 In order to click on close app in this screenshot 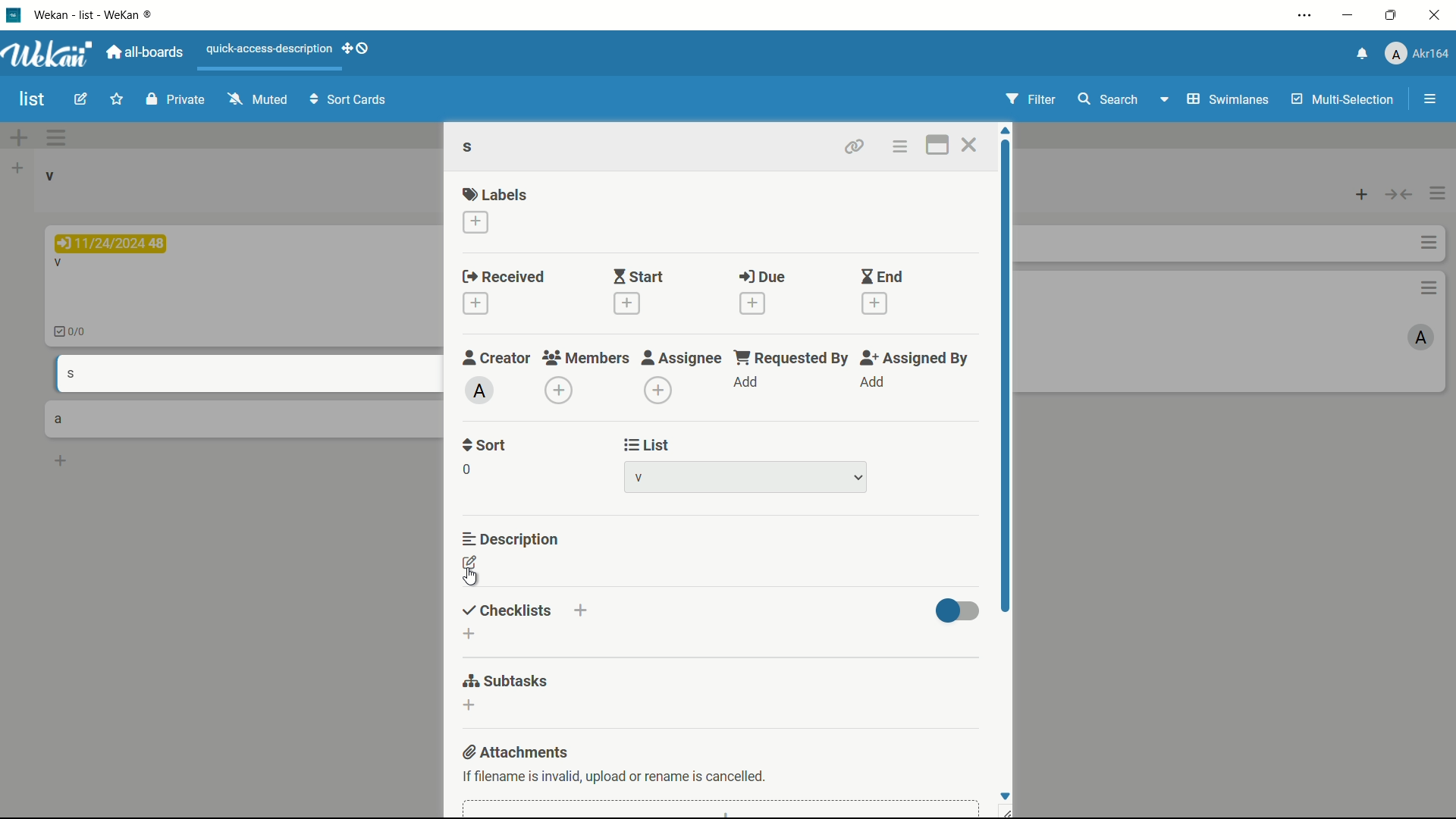, I will do `click(1437, 17)`.